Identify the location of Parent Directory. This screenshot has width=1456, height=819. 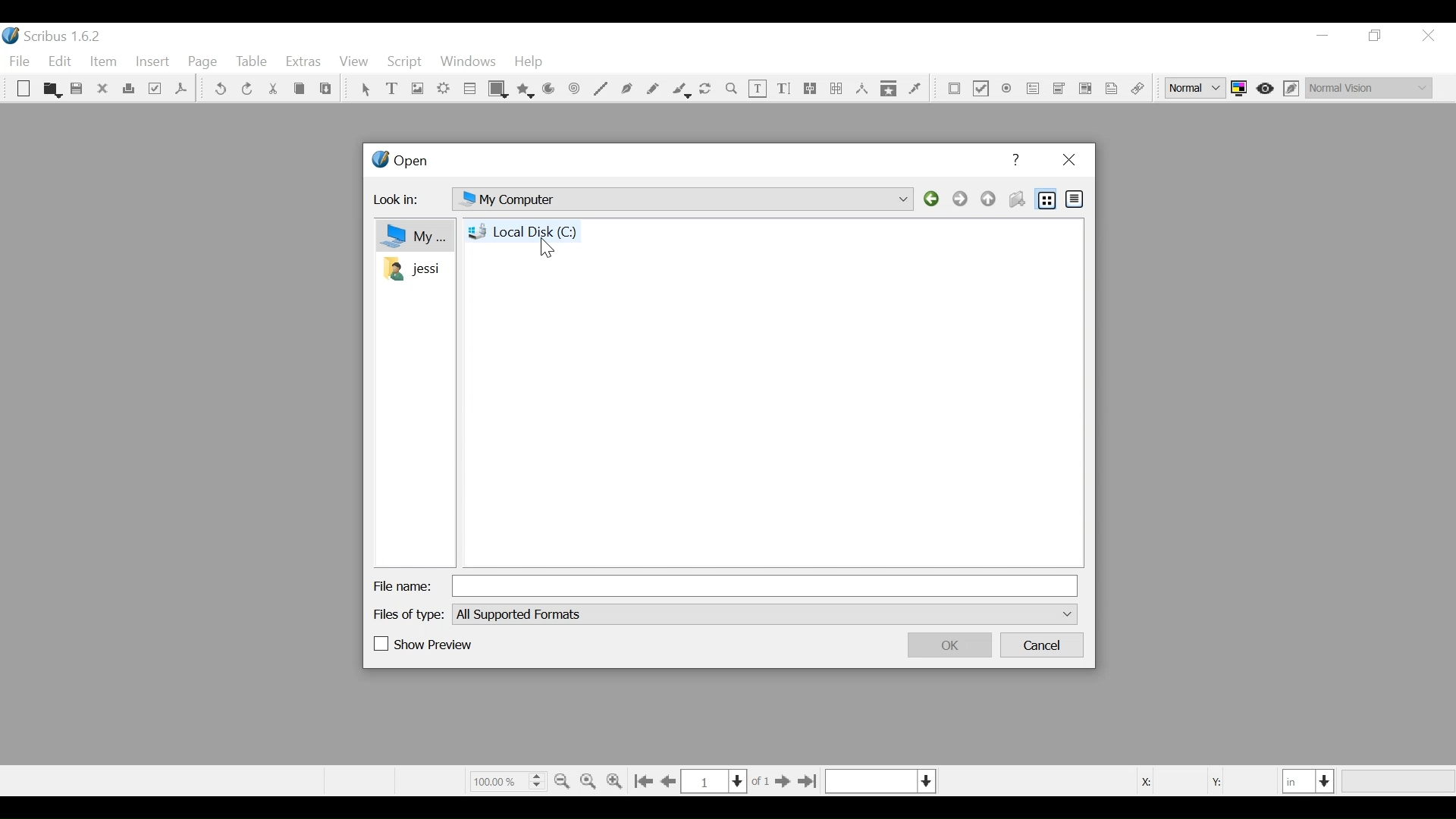
(990, 199).